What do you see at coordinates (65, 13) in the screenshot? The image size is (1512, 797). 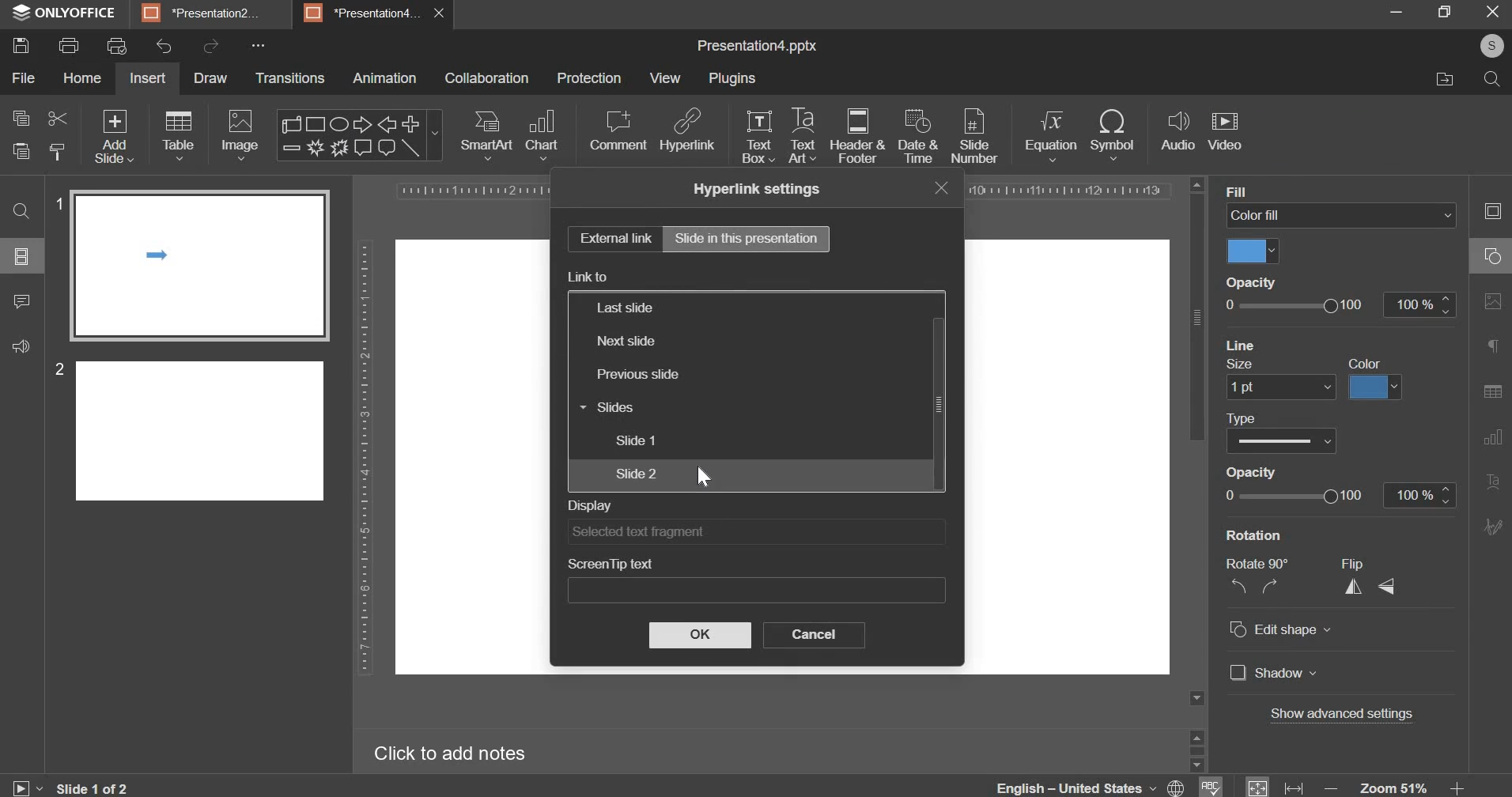 I see `ONLYOFFICE` at bounding box center [65, 13].